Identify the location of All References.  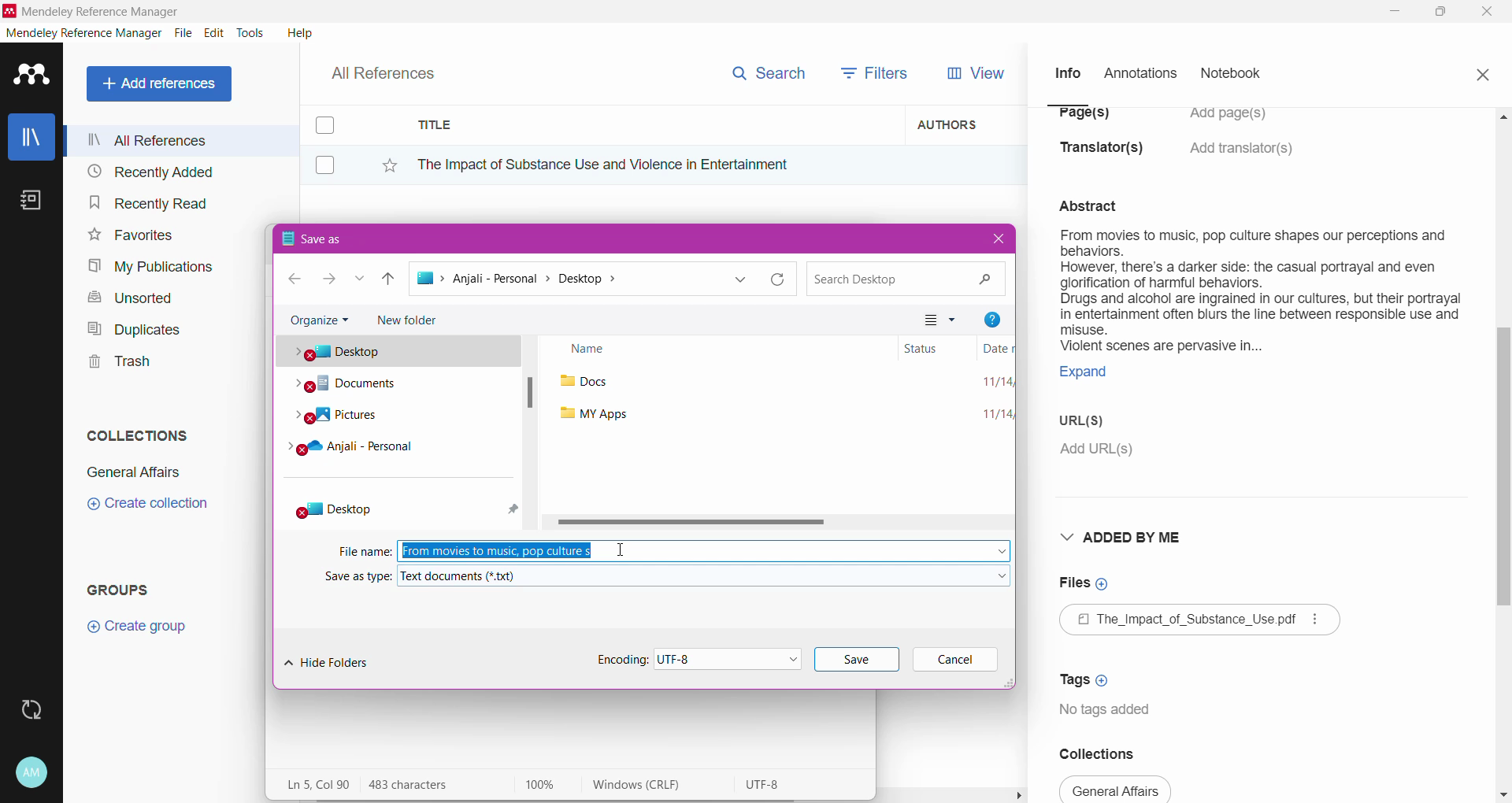
(394, 69).